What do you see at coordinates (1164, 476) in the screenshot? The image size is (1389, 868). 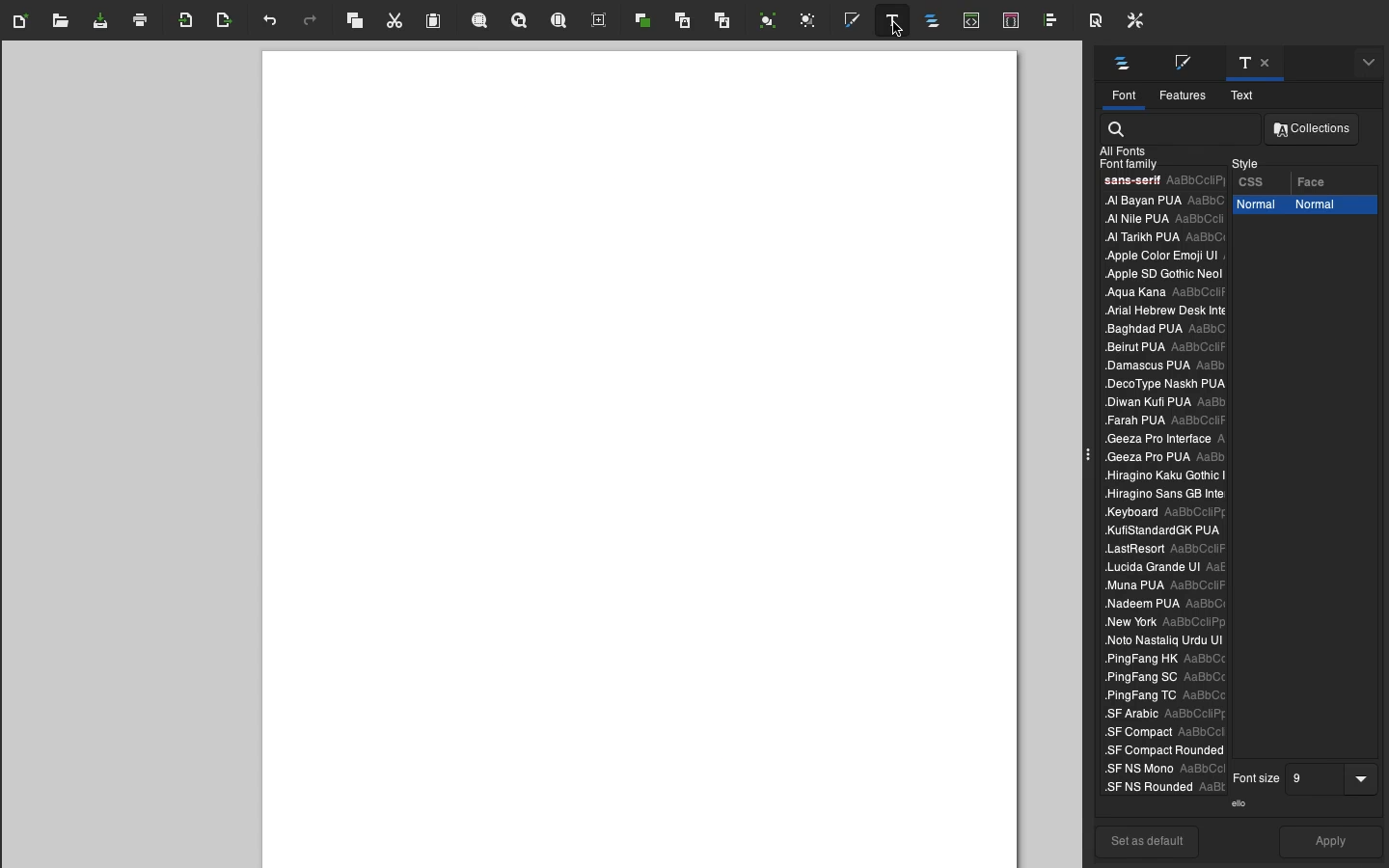 I see `.Hiragino Kaku Gothic I` at bounding box center [1164, 476].